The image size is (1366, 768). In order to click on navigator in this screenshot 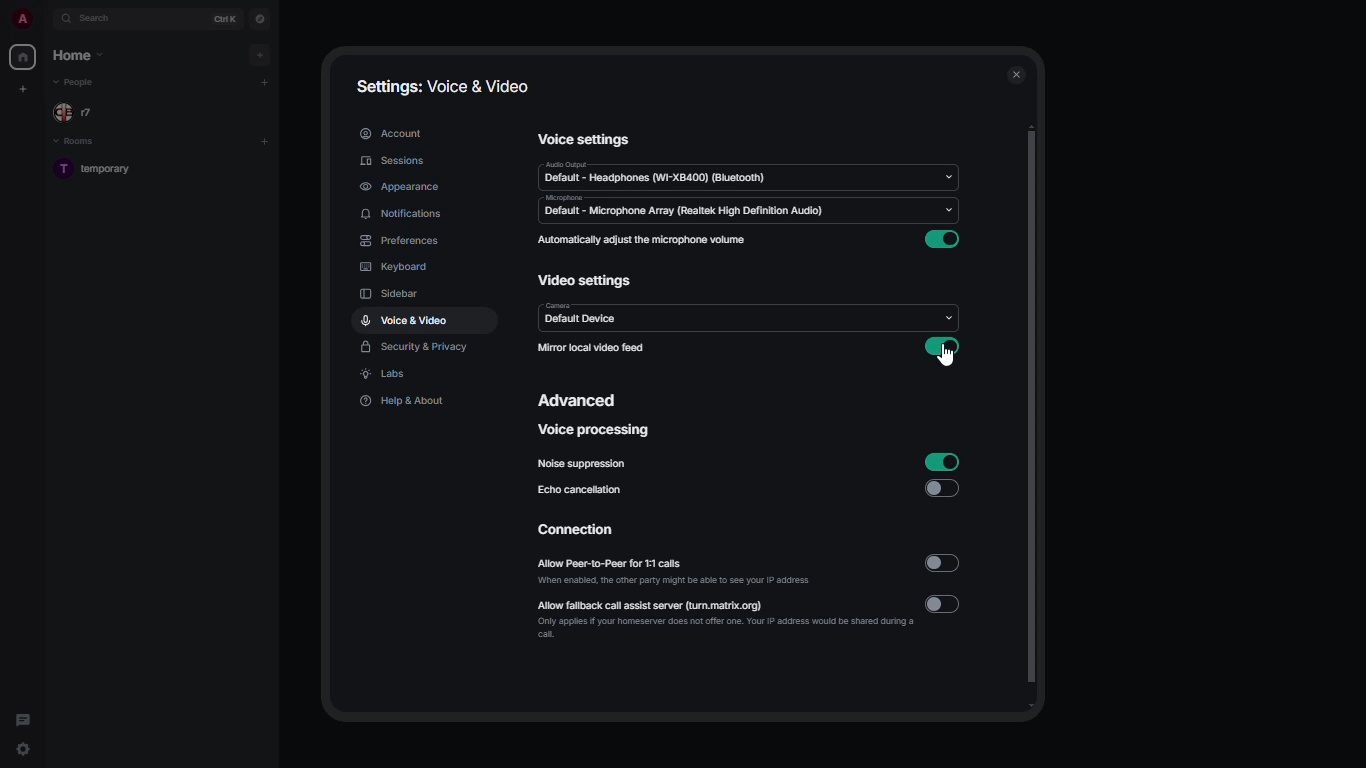, I will do `click(260, 19)`.